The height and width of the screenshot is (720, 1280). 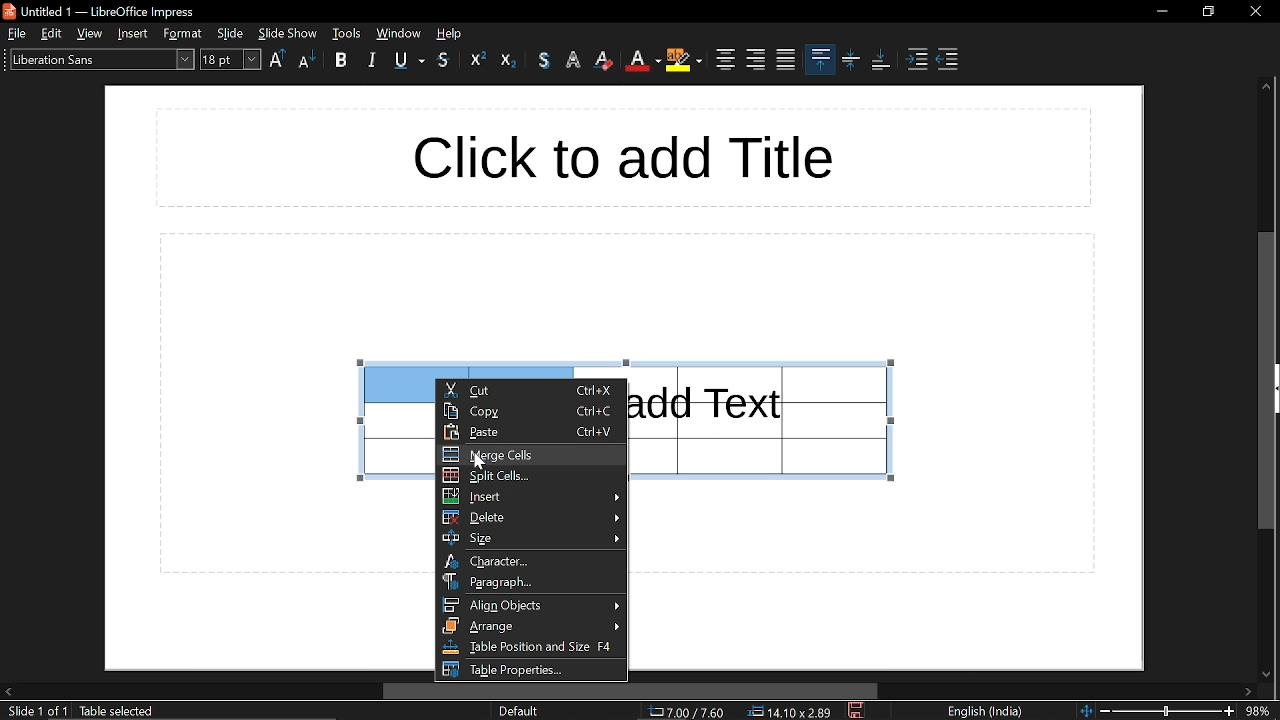 I want to click on justified, so click(x=786, y=60).